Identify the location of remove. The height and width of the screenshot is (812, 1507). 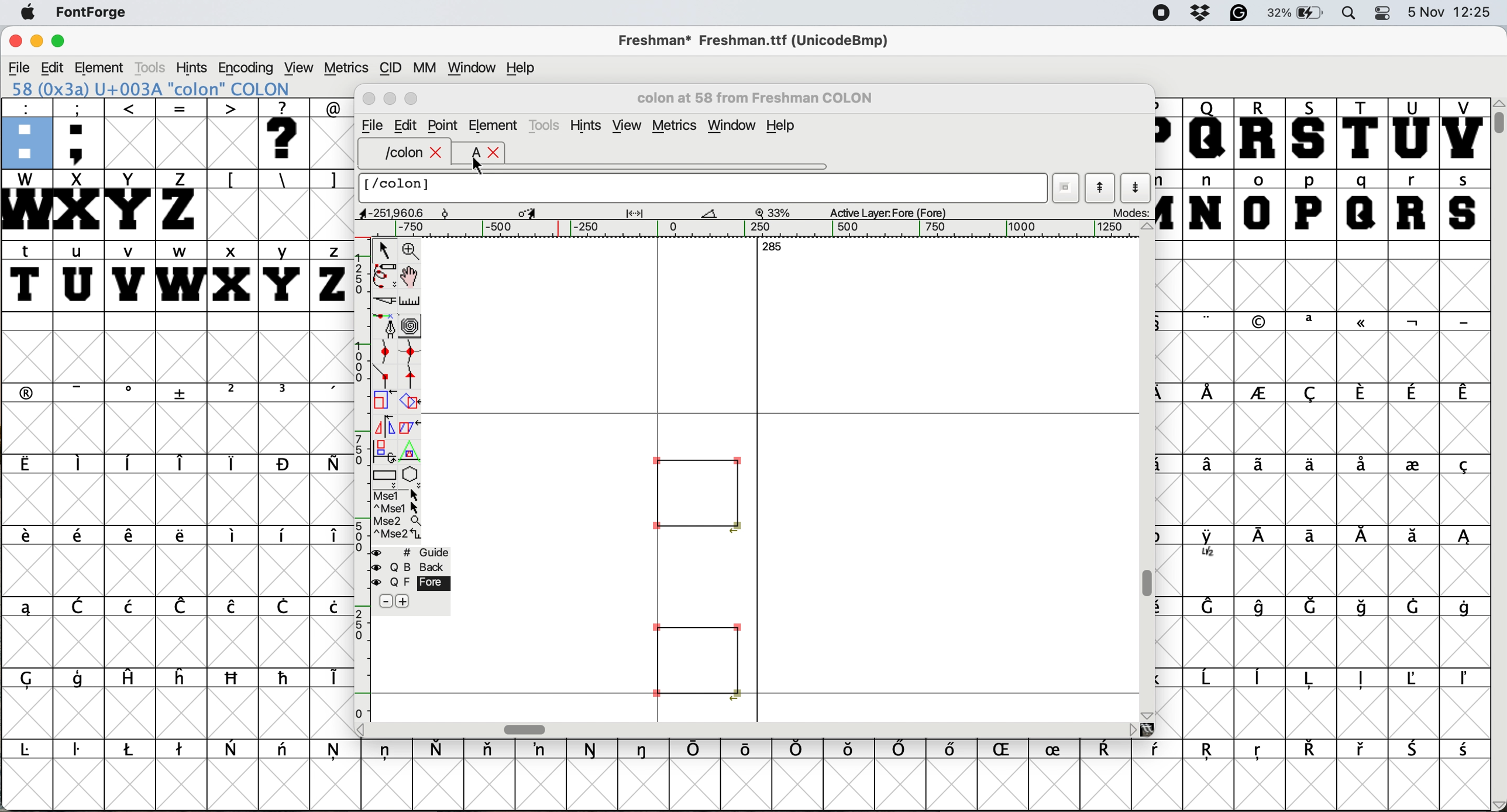
(384, 601).